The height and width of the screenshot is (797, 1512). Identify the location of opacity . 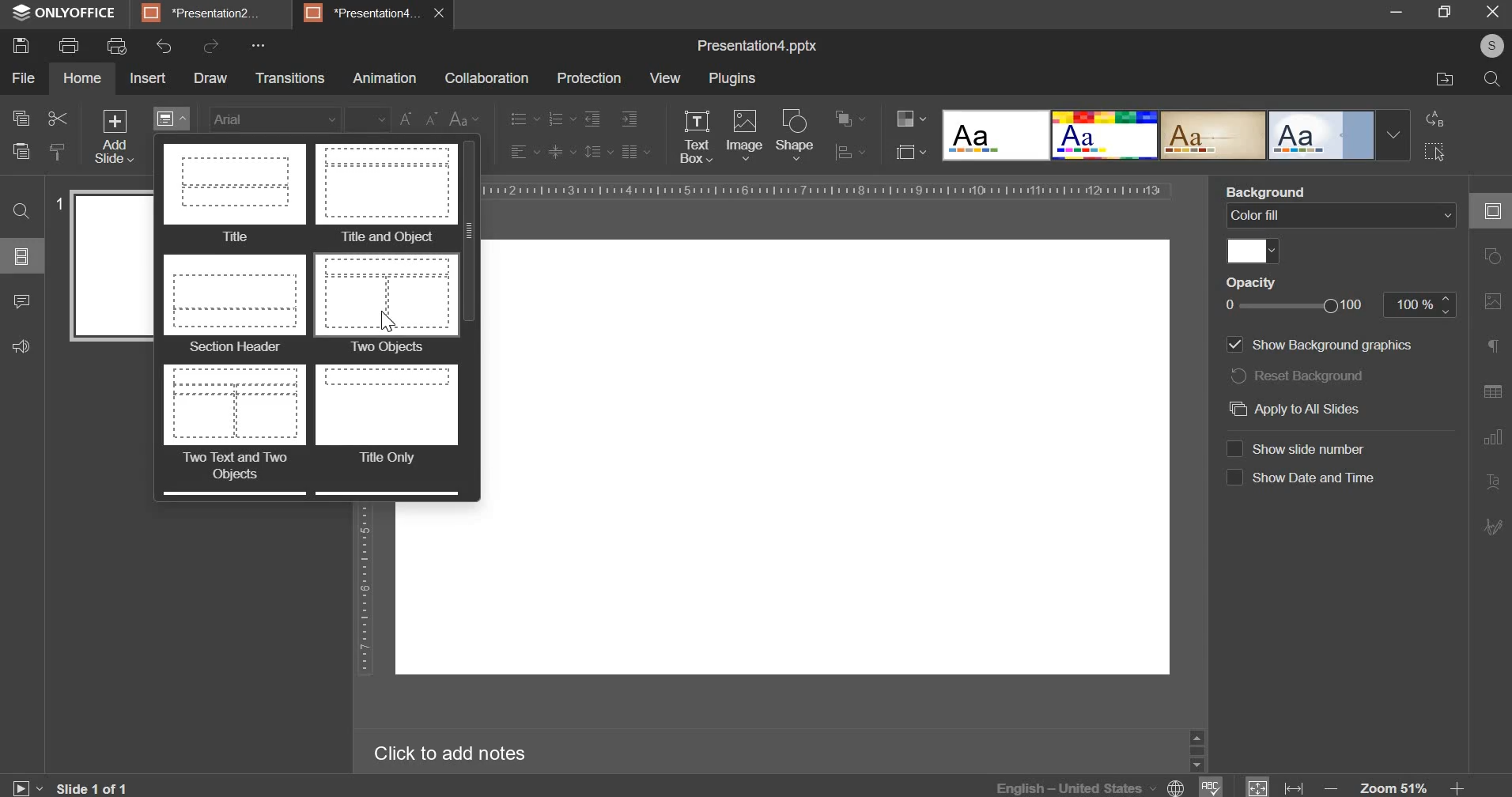
(1420, 304).